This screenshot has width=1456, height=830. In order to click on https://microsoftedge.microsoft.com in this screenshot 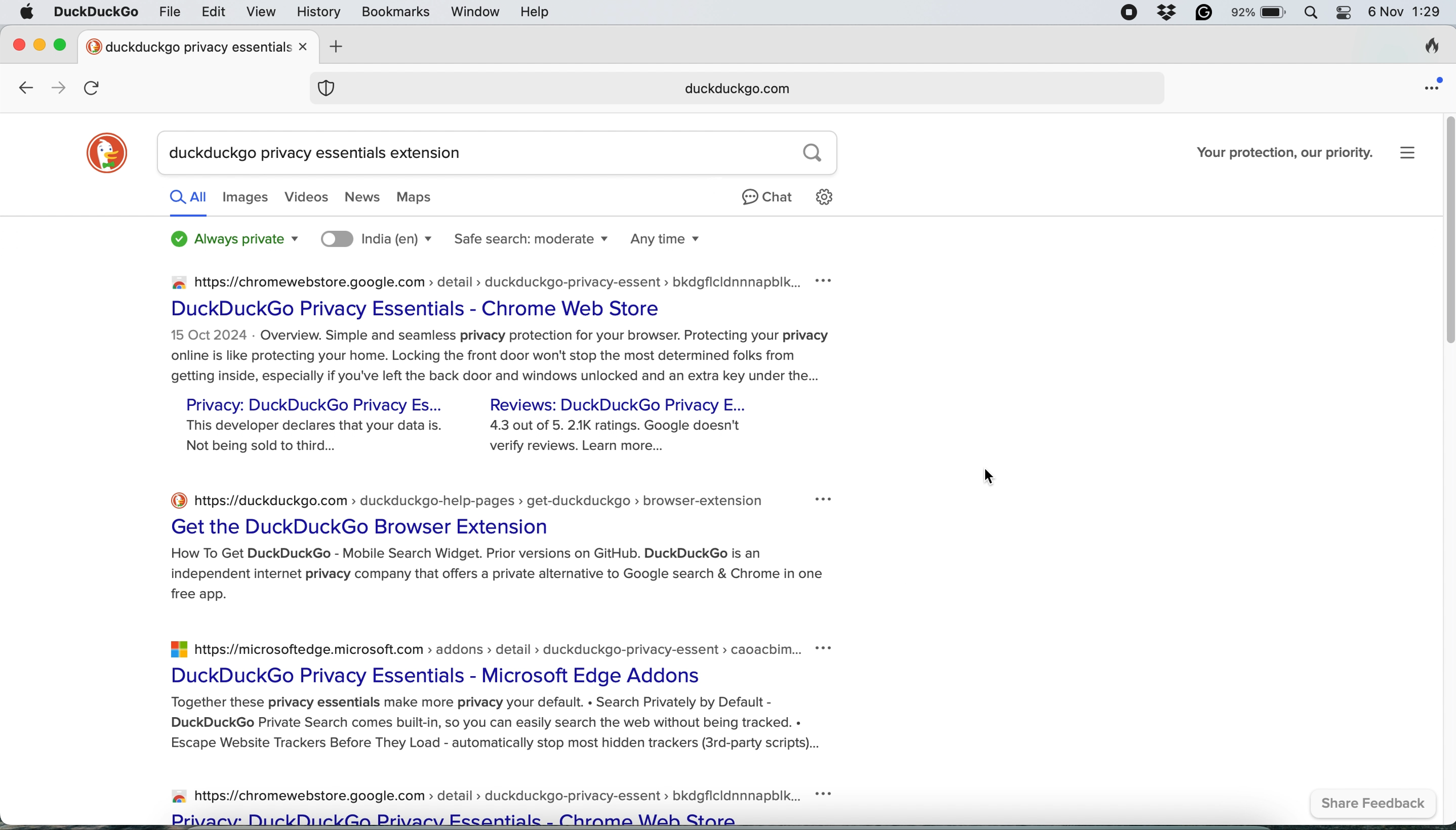, I will do `click(485, 649)`.